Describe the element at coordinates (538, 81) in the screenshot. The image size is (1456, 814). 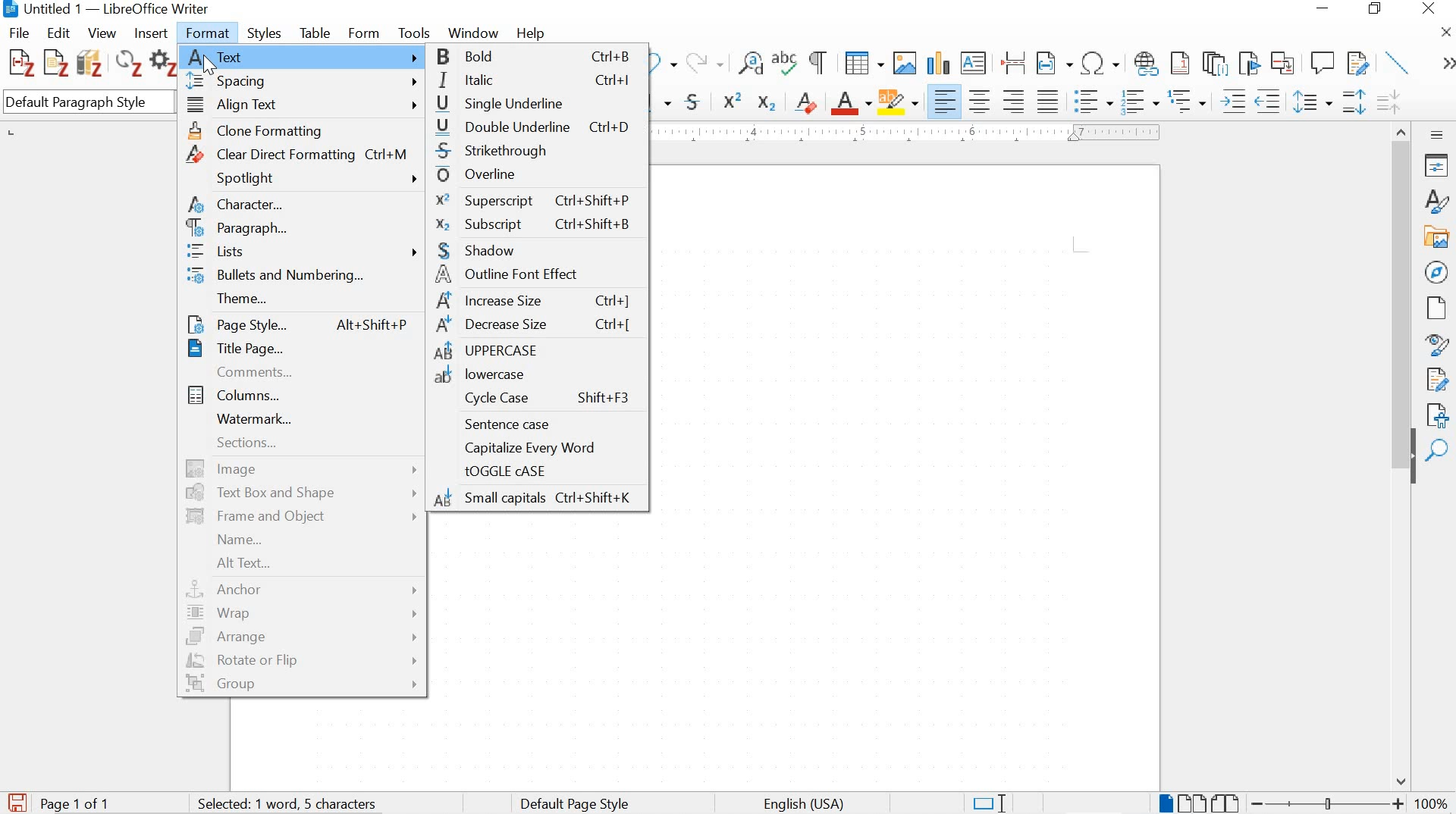
I see `italic         Ctrl+I` at that location.